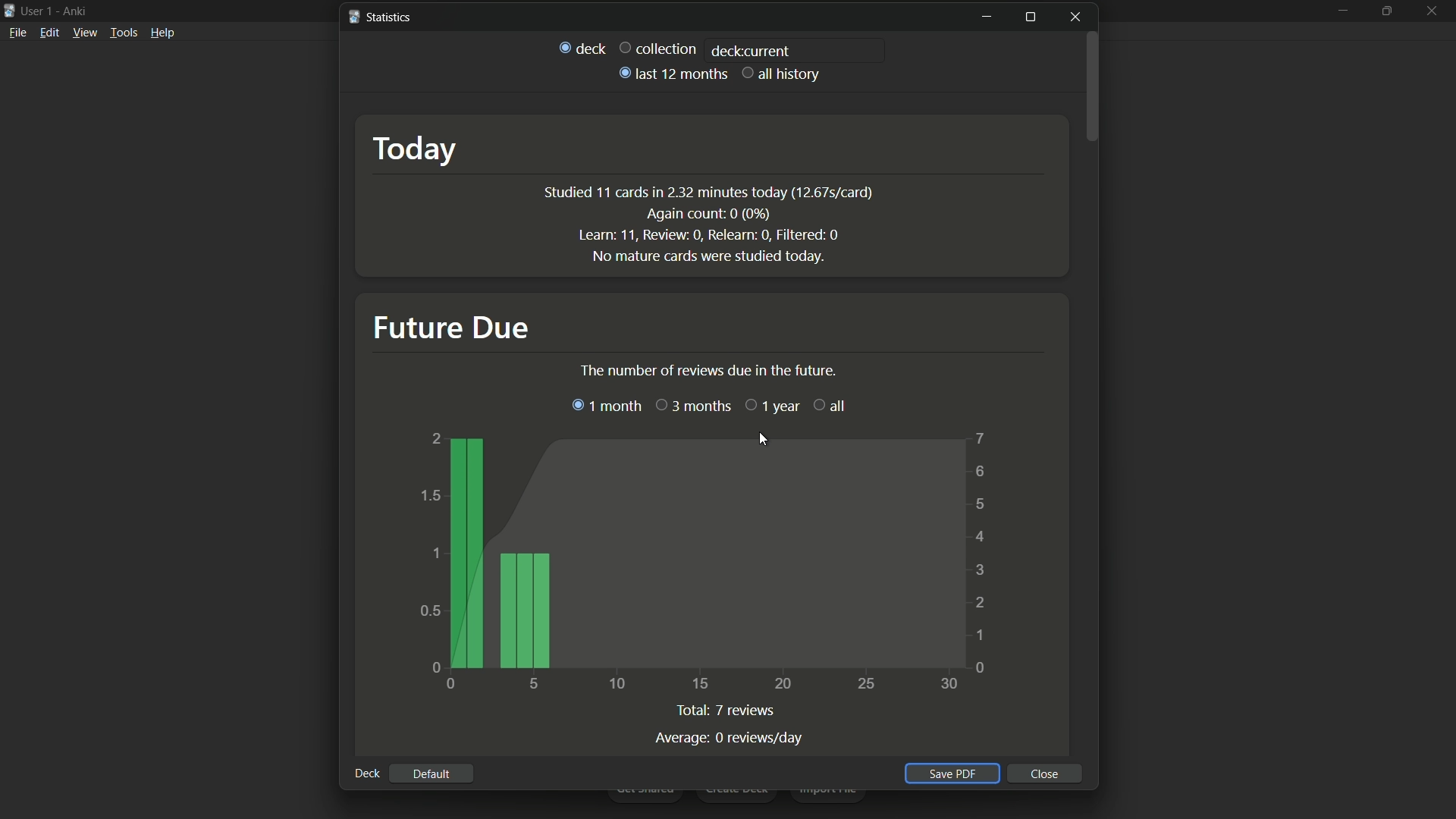 This screenshot has height=819, width=1456. What do you see at coordinates (379, 16) in the screenshot?
I see `statistics` at bounding box center [379, 16].